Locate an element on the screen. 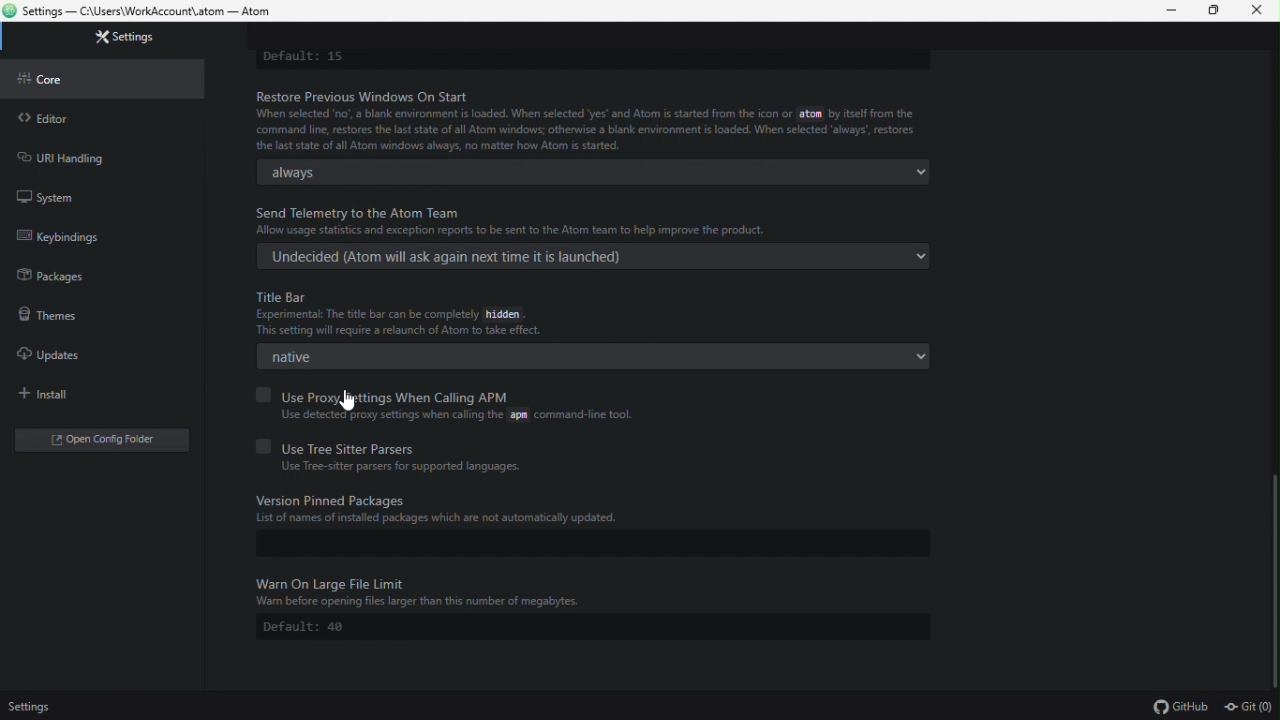  Default: 15 is located at coordinates (303, 58).